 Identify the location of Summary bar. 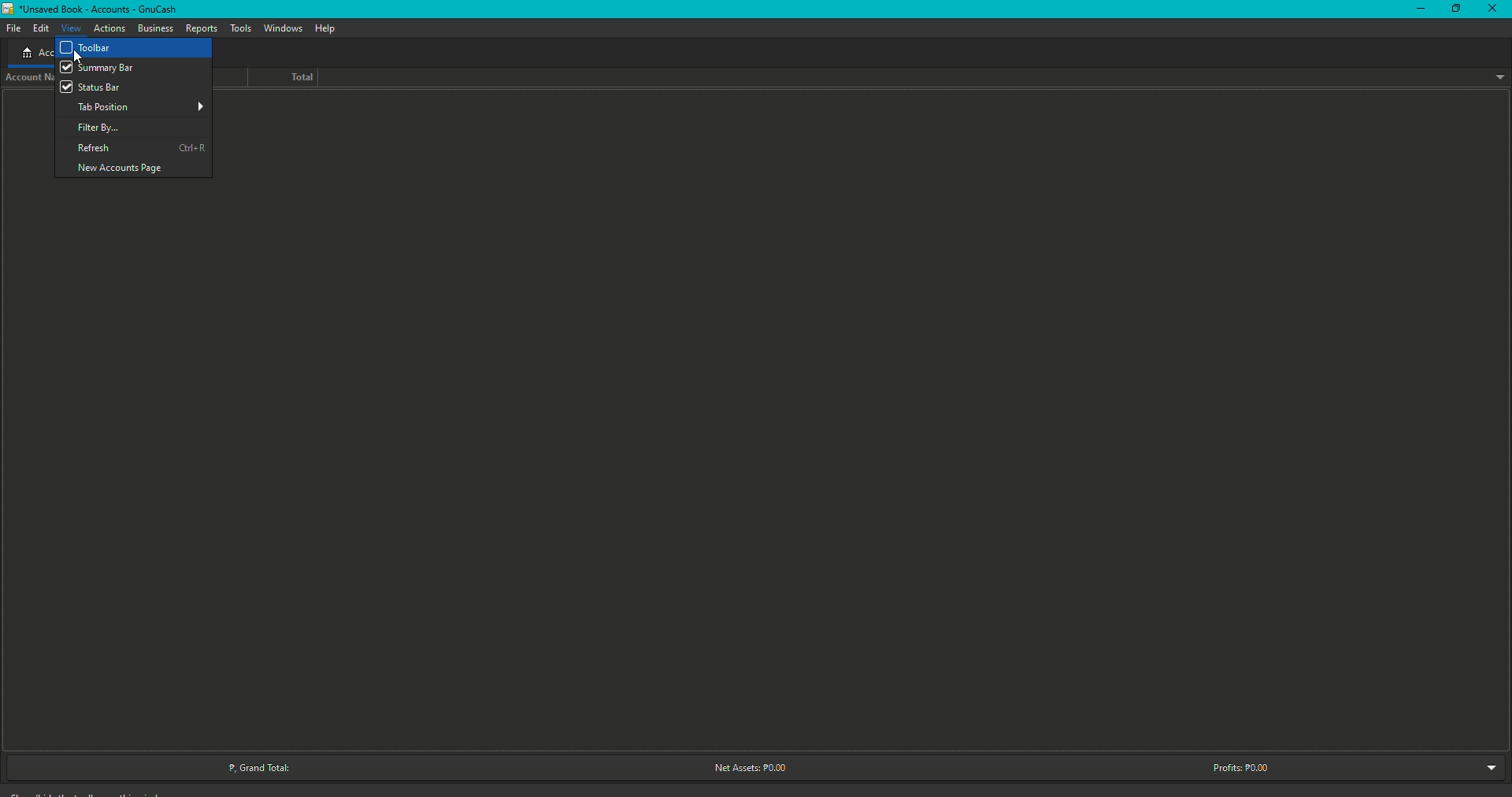
(98, 67).